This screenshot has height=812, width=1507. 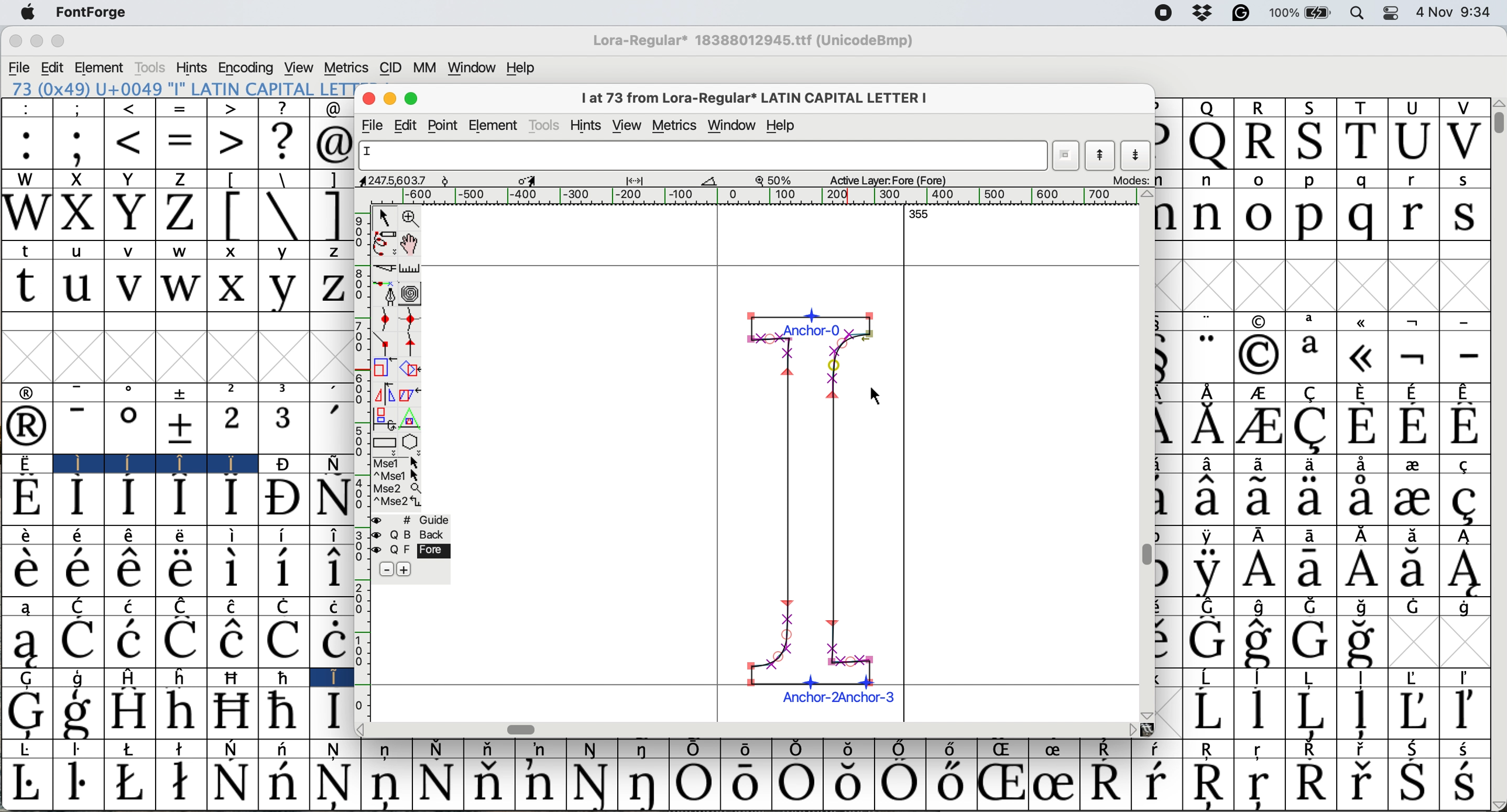 I want to click on help, so click(x=519, y=68).